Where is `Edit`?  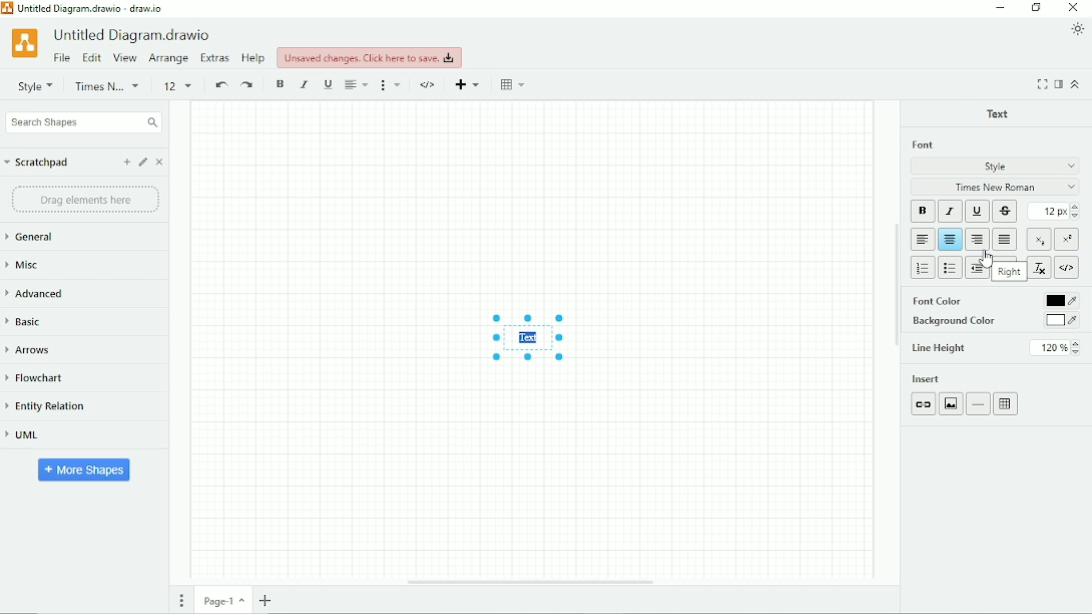 Edit is located at coordinates (92, 58).